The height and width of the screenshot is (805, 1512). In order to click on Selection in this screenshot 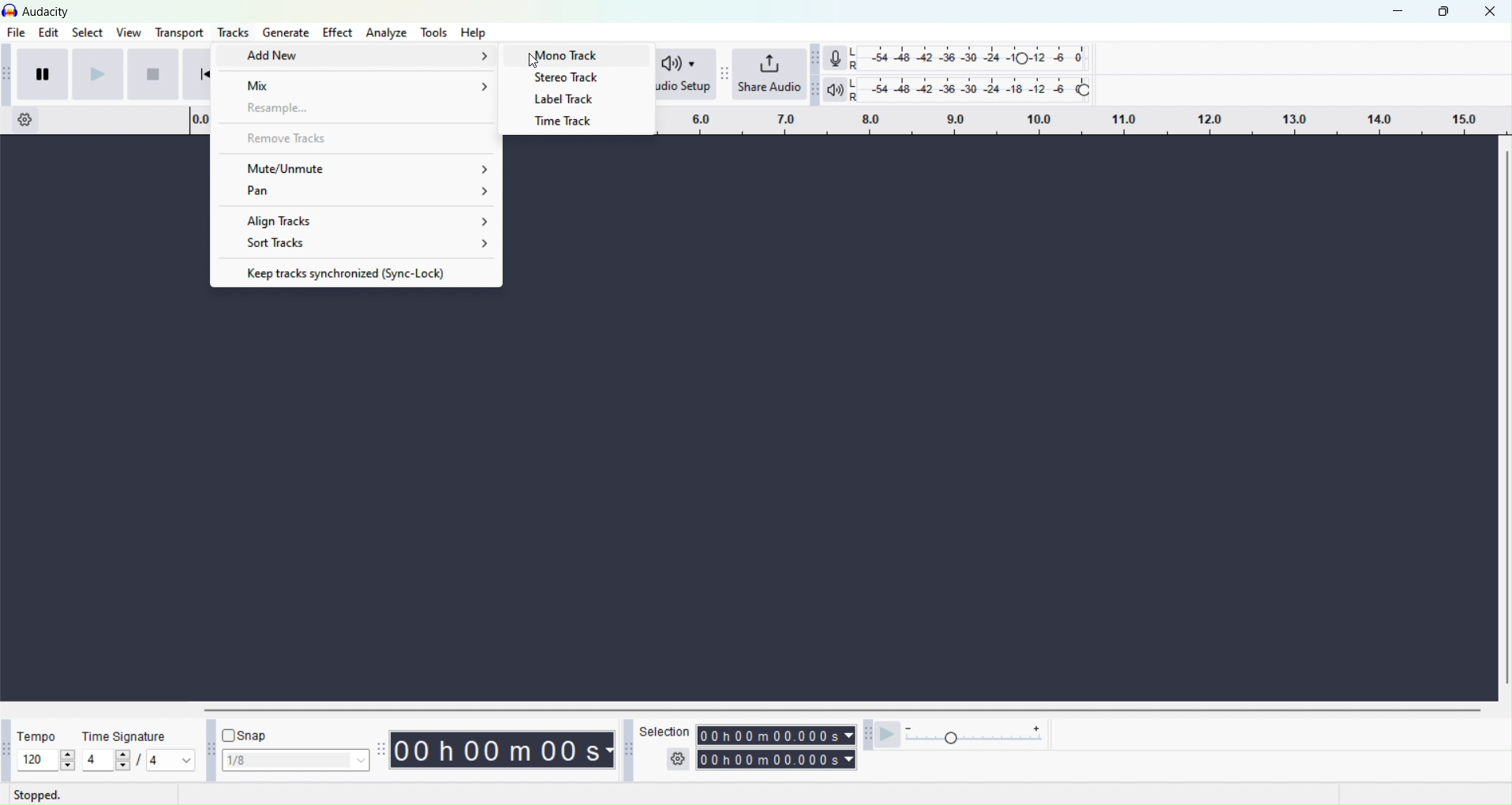, I will do `click(666, 744)`.